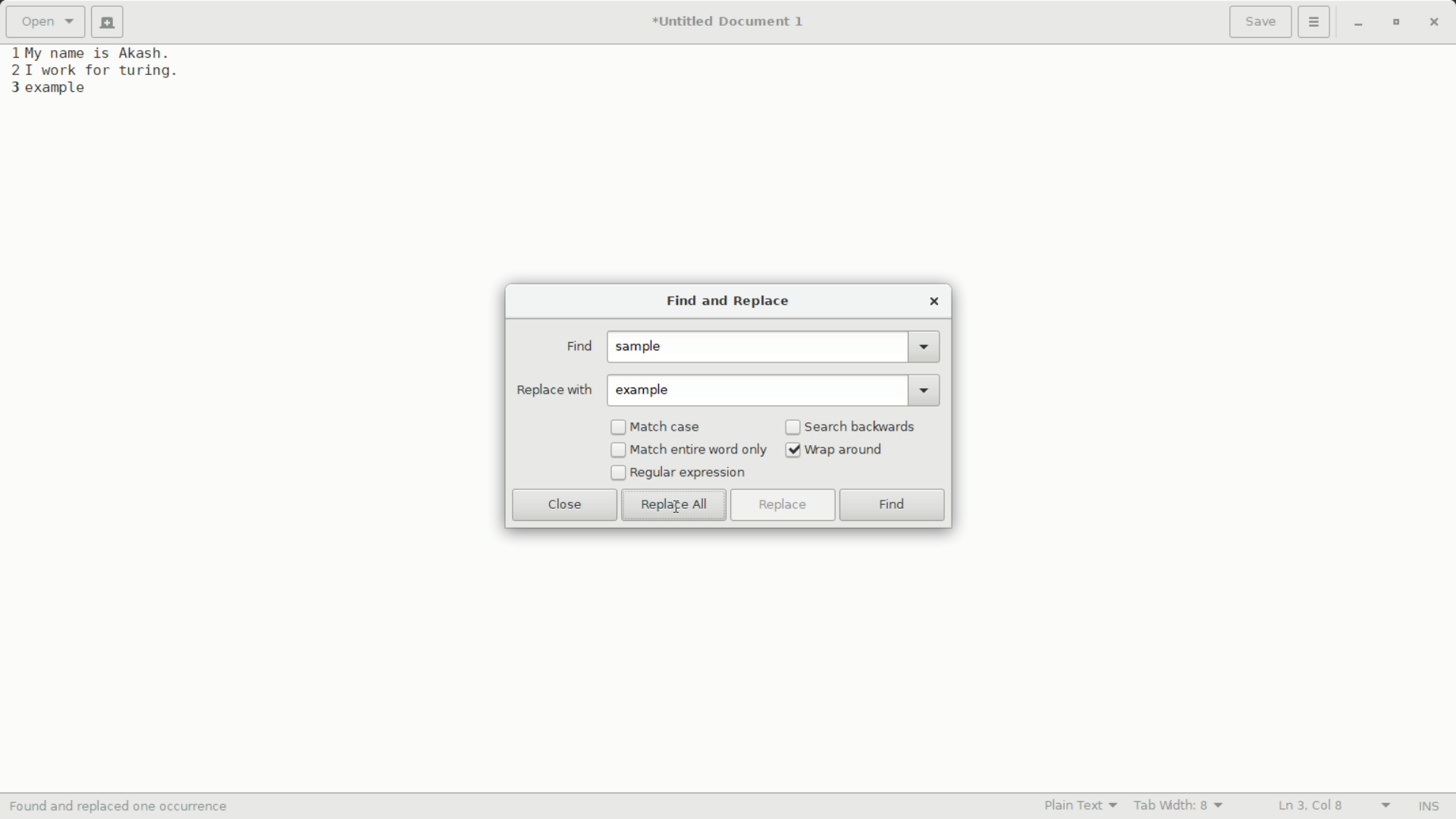 The width and height of the screenshot is (1456, 819). What do you see at coordinates (668, 428) in the screenshot?
I see `match case` at bounding box center [668, 428].